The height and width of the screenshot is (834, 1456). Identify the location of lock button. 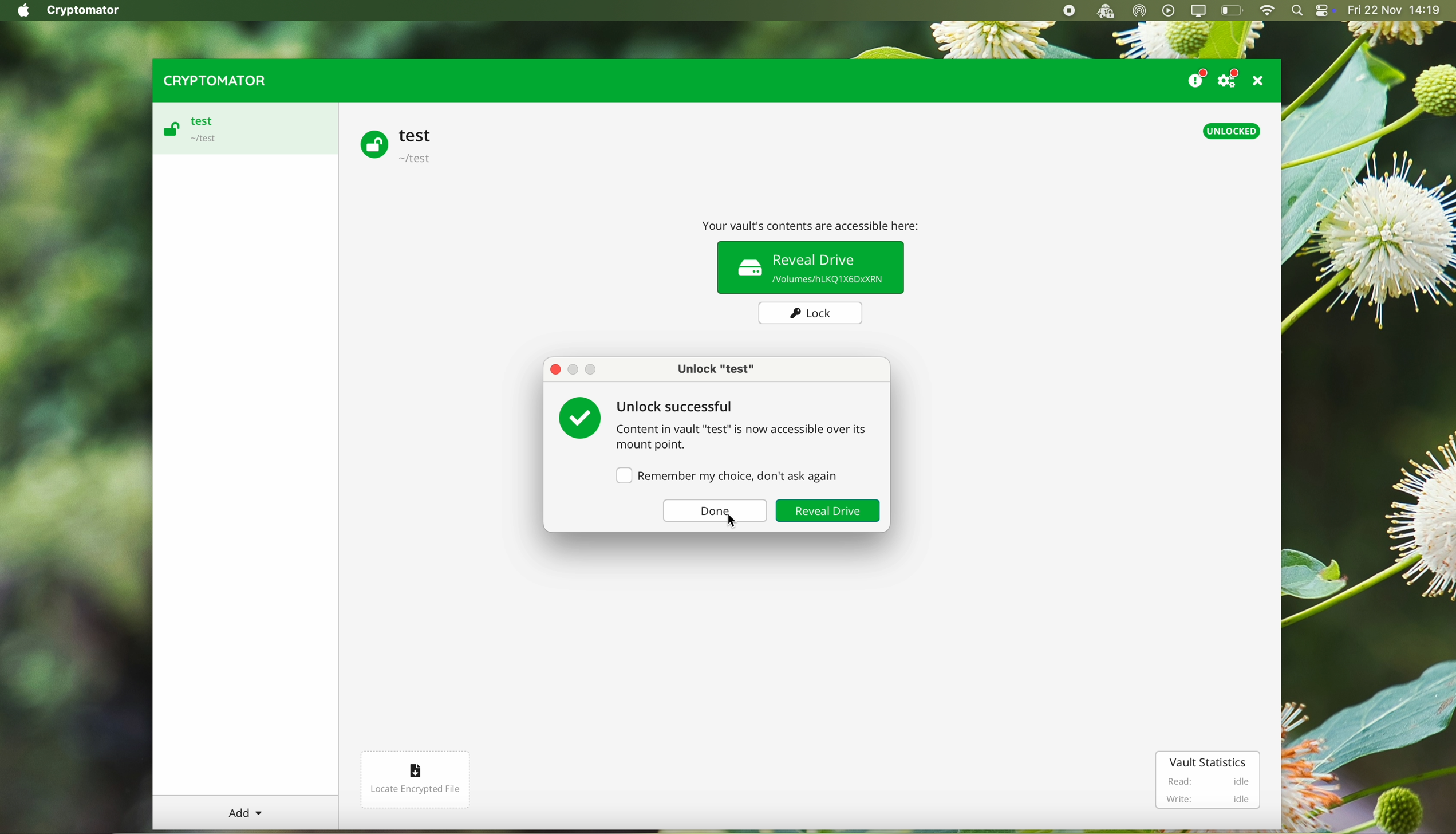
(810, 314).